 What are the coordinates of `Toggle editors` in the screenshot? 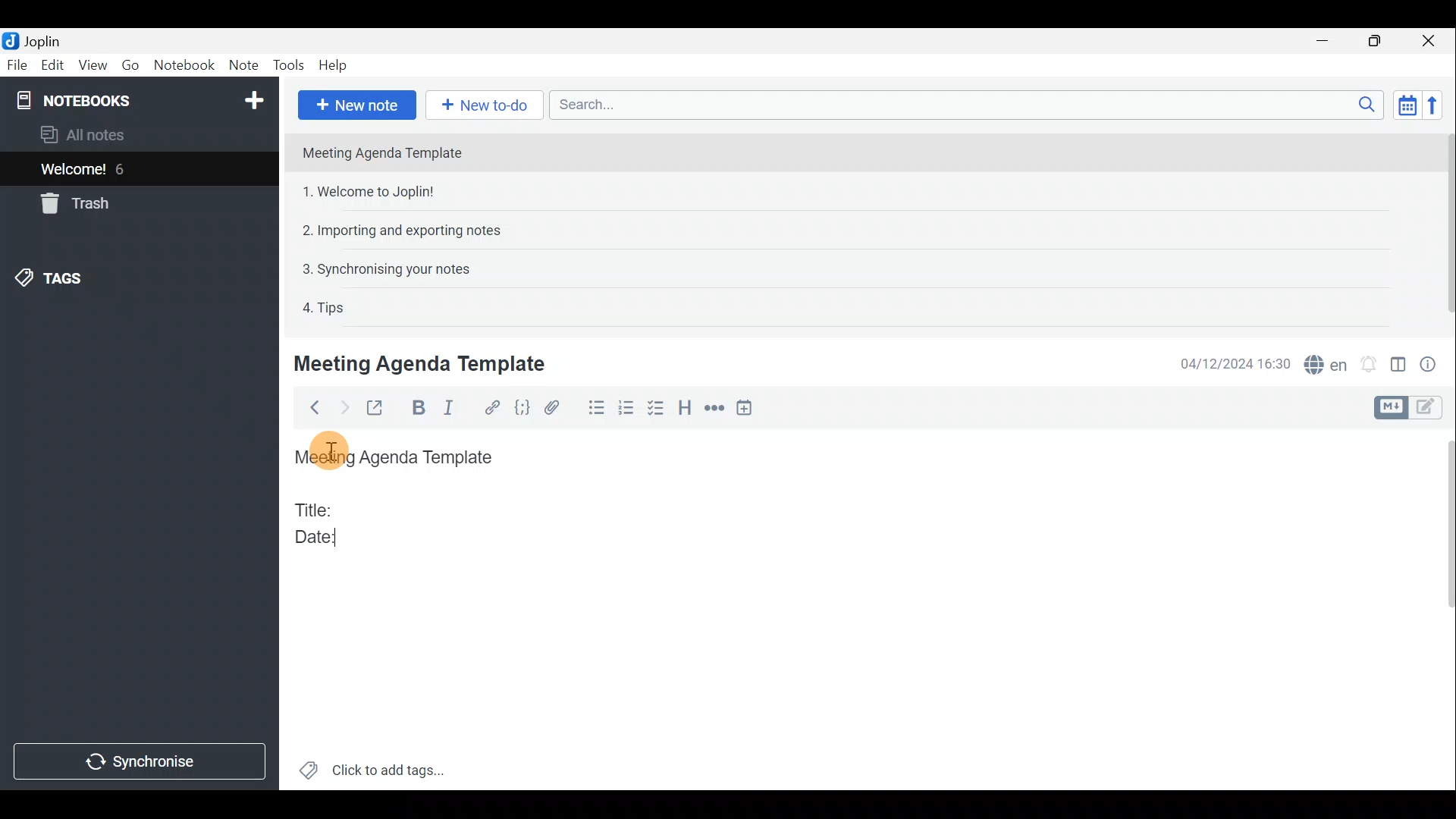 It's located at (1429, 409).